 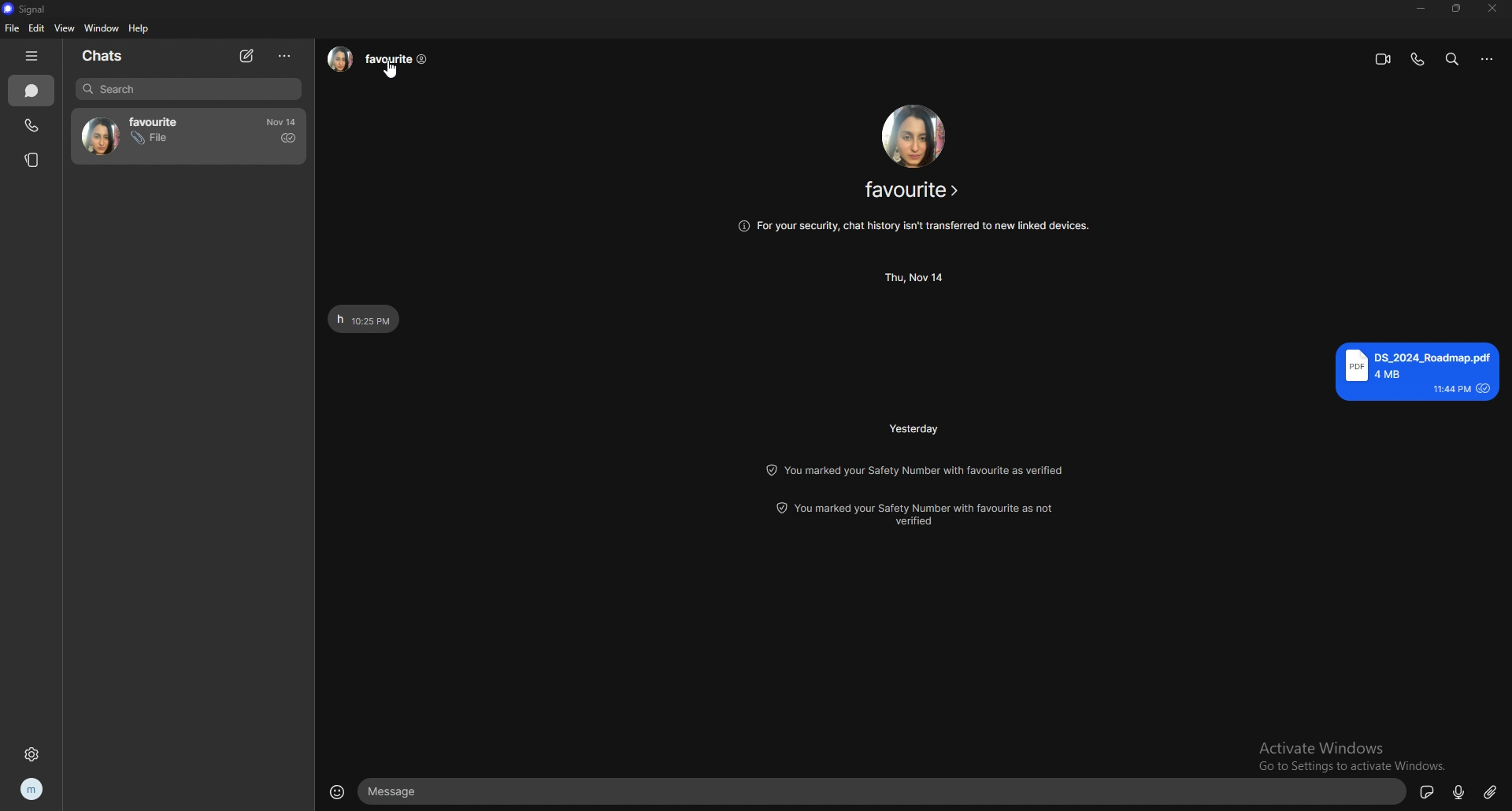 What do you see at coordinates (884, 793) in the screenshot?
I see `text box` at bounding box center [884, 793].